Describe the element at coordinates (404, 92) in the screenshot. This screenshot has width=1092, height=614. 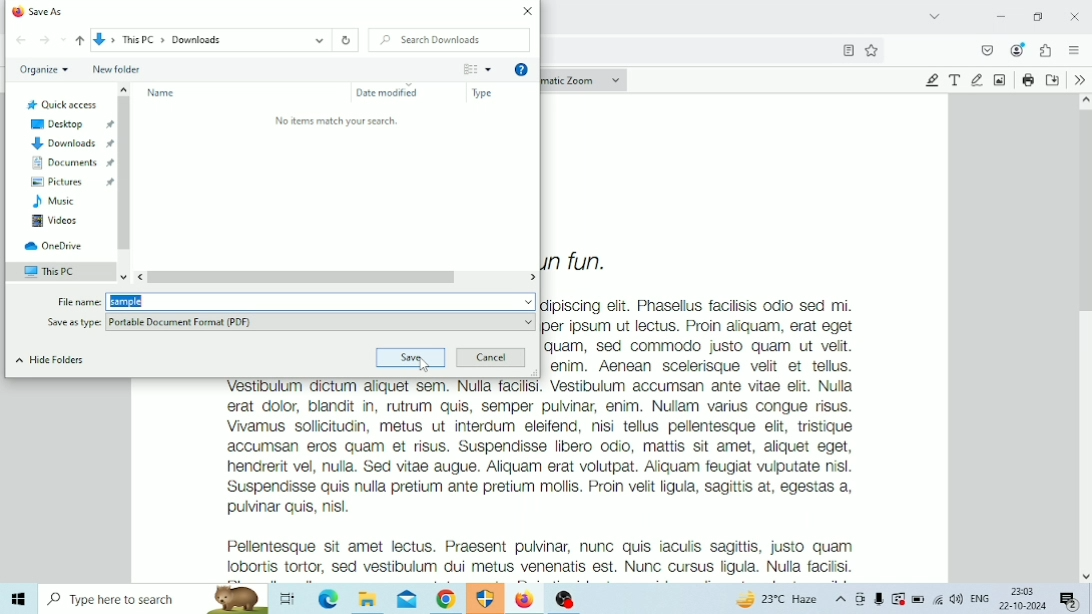
I see `Date modified` at that location.